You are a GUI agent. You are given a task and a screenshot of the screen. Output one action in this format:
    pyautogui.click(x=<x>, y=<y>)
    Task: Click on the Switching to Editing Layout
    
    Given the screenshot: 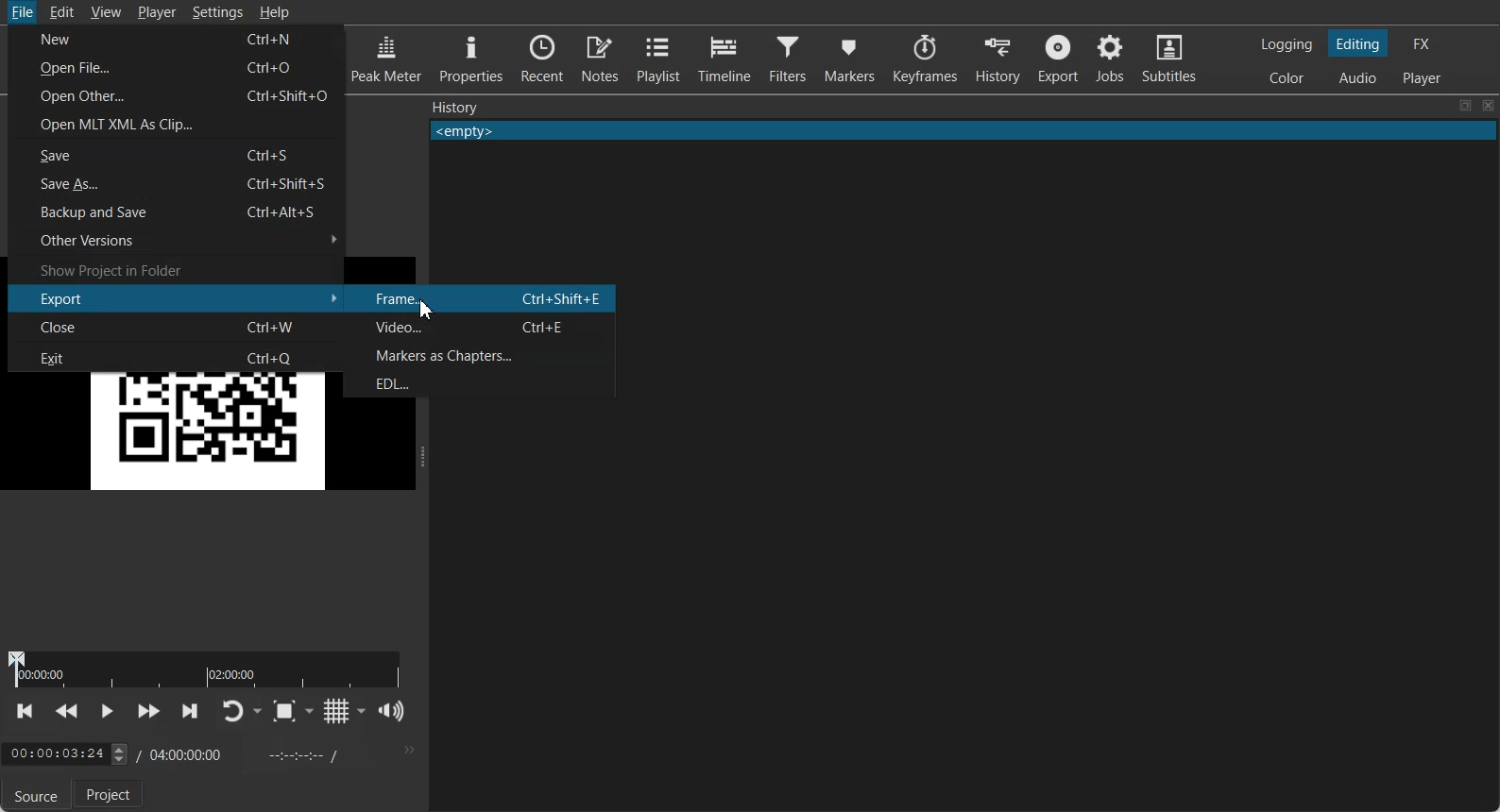 What is the action you would take?
    pyautogui.click(x=1356, y=43)
    